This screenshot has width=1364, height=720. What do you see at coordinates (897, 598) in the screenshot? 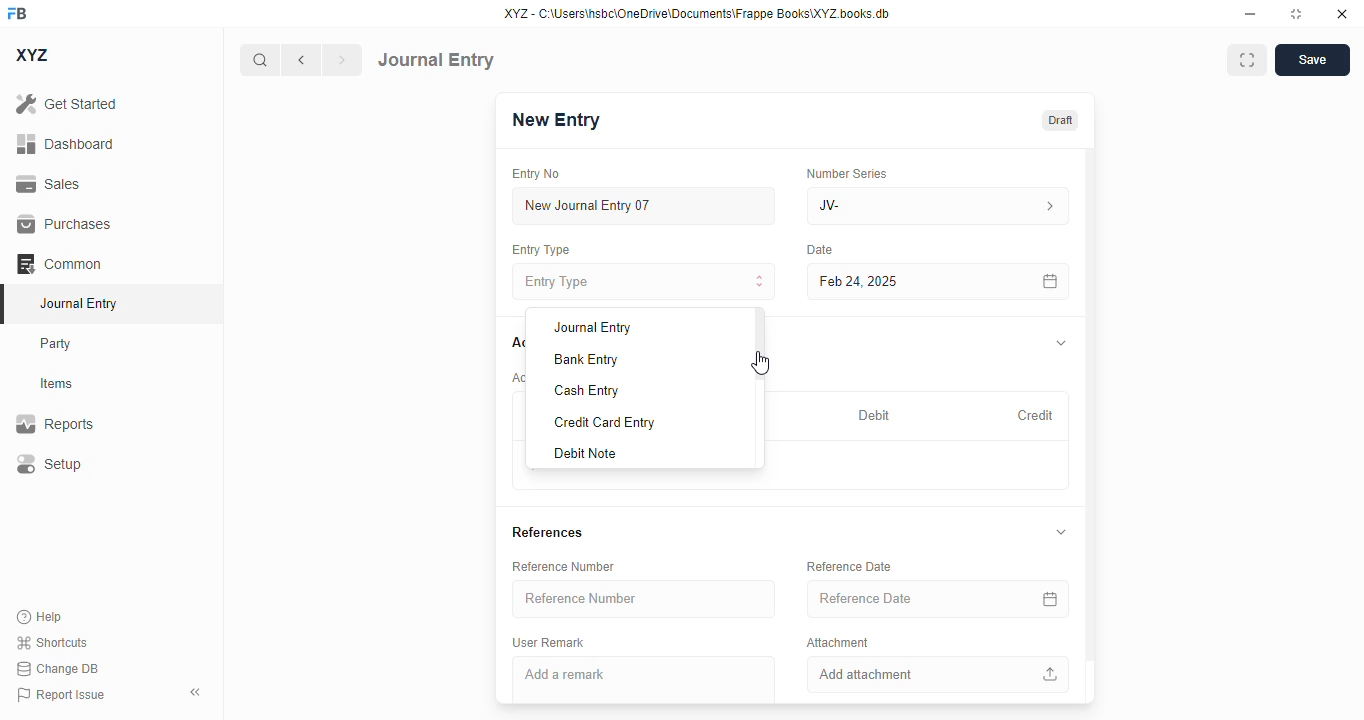
I see `reference date` at bounding box center [897, 598].